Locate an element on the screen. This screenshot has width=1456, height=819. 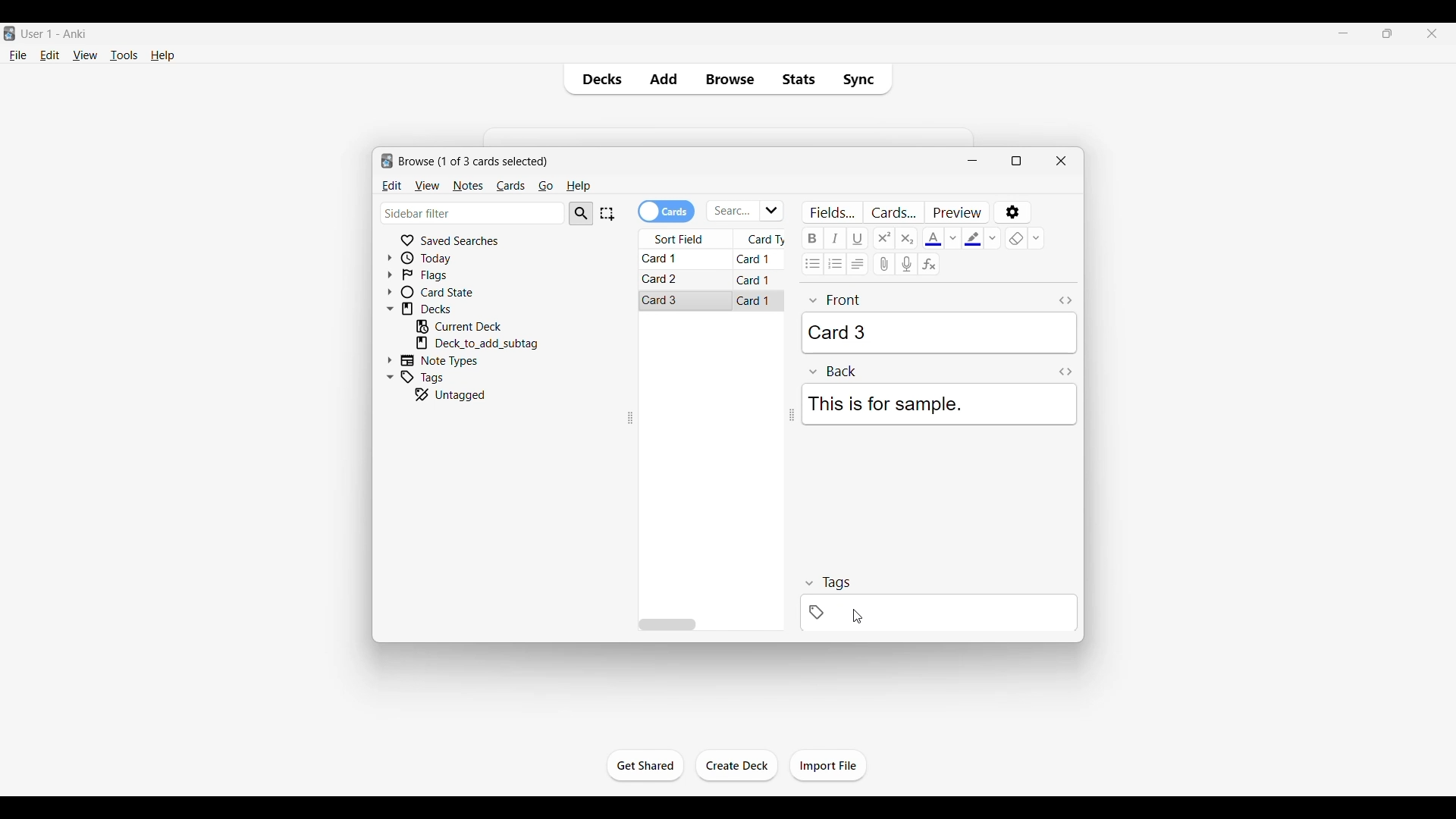
Remove formatting options is located at coordinates (1036, 238).